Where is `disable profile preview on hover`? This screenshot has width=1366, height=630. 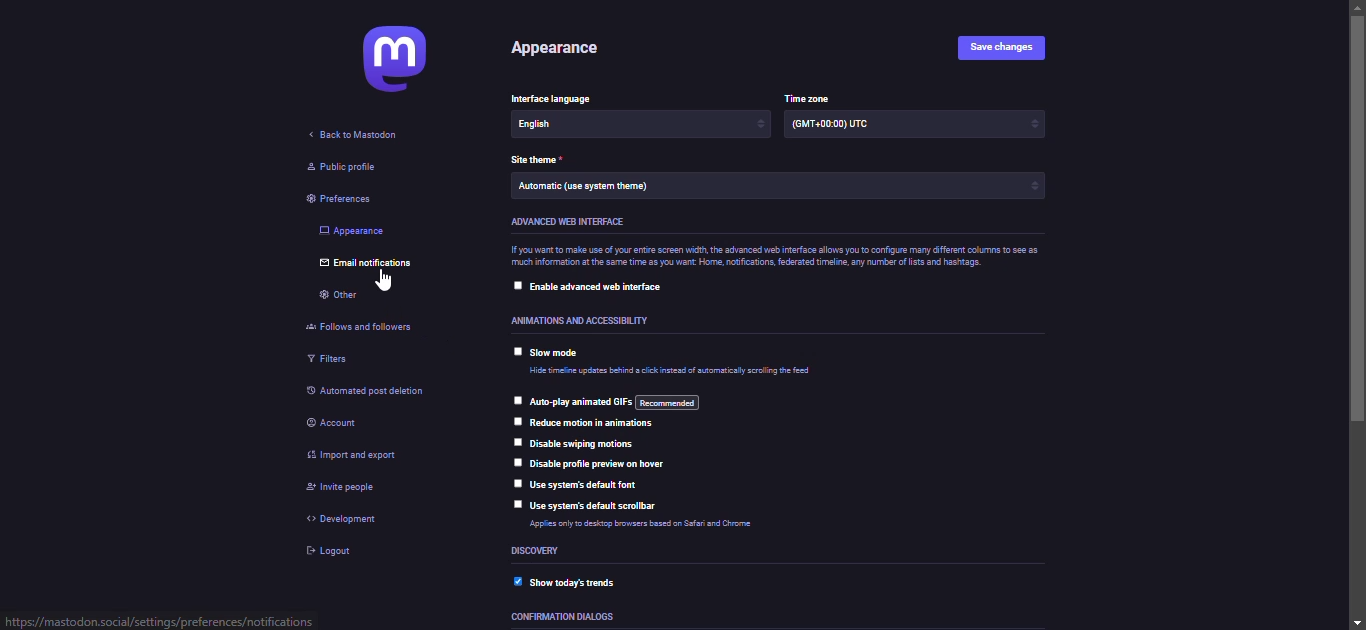
disable profile preview on hover is located at coordinates (611, 463).